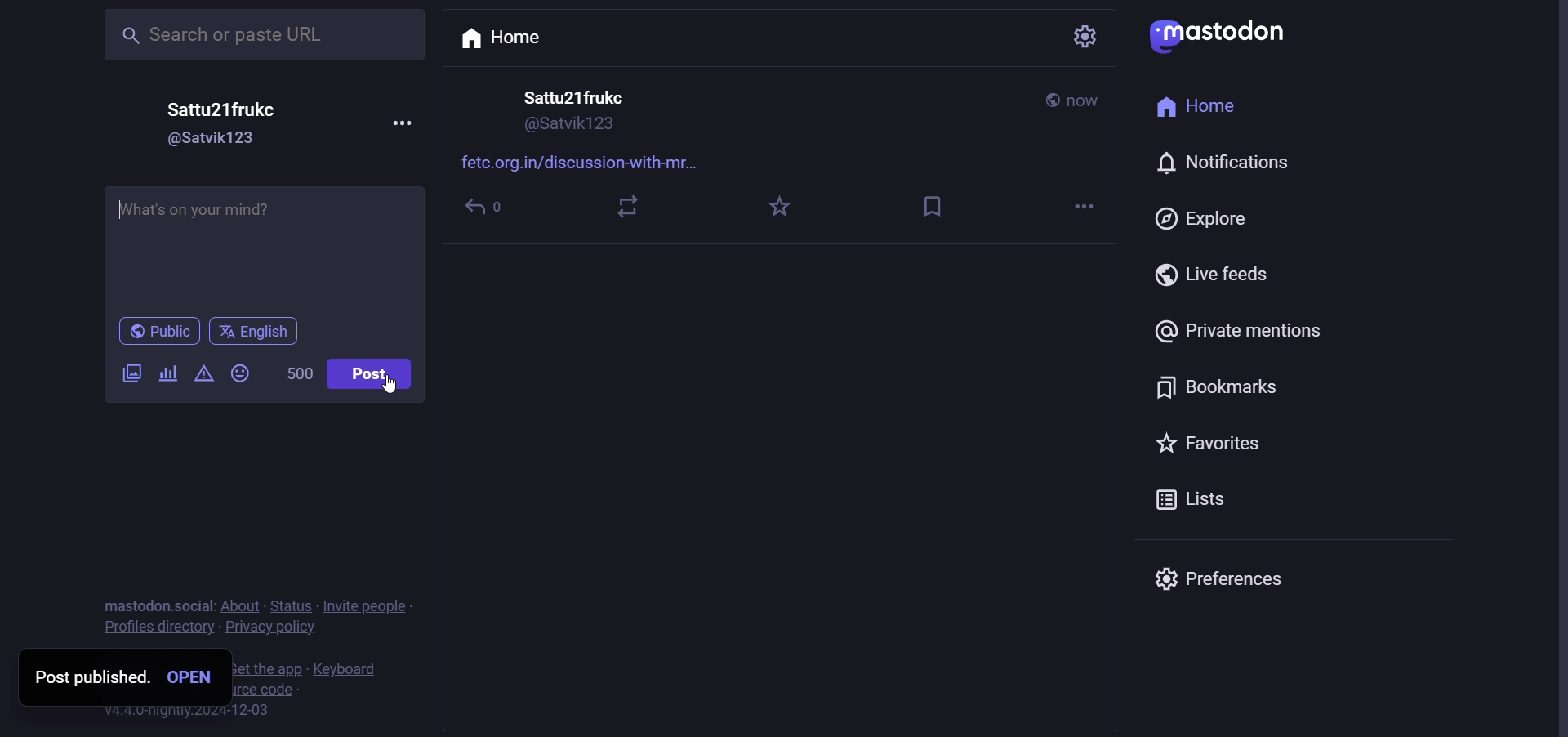  Describe the element at coordinates (229, 109) in the screenshot. I see `name` at that location.